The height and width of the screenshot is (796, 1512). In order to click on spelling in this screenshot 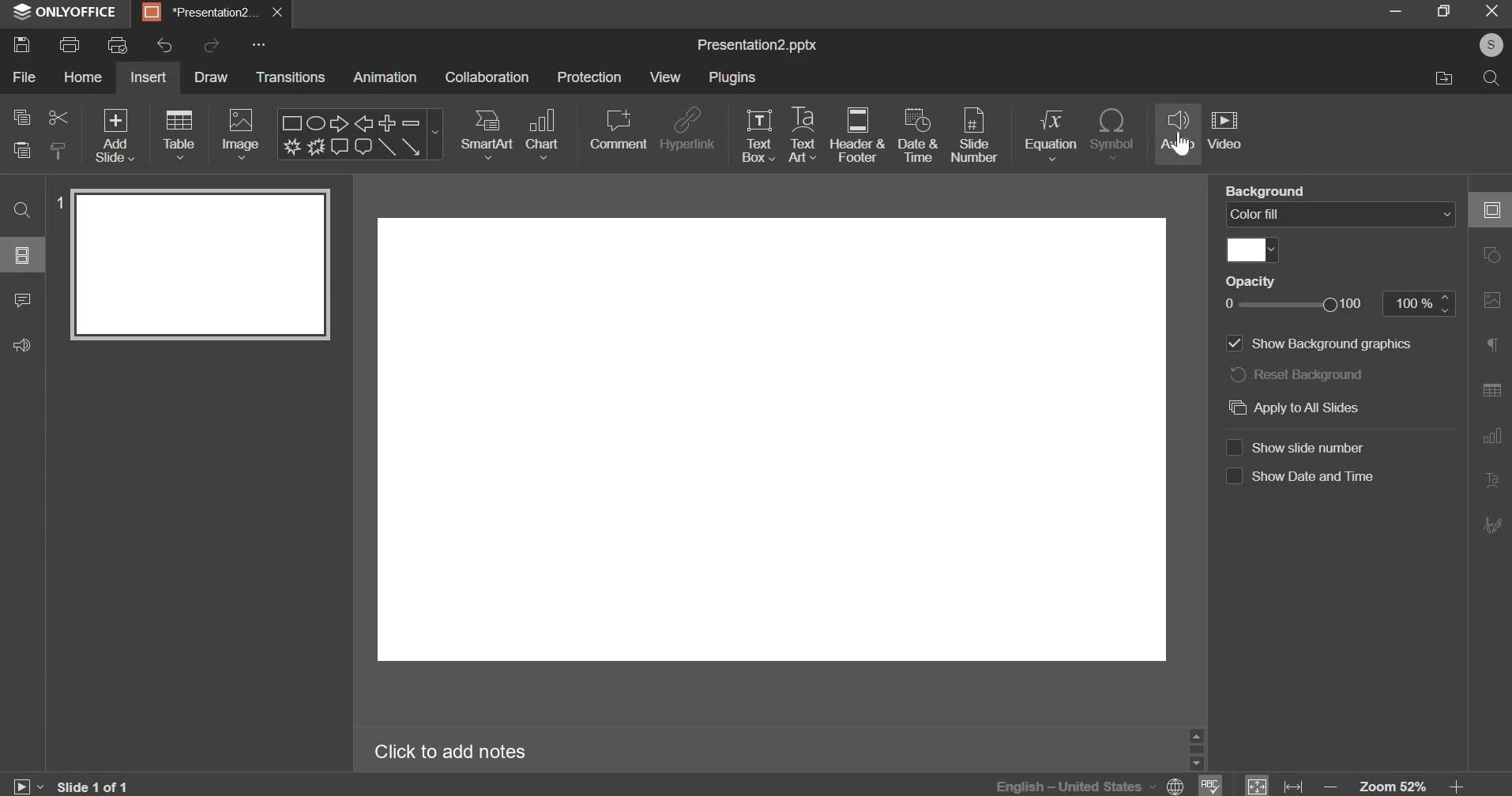, I will do `click(1209, 785)`.